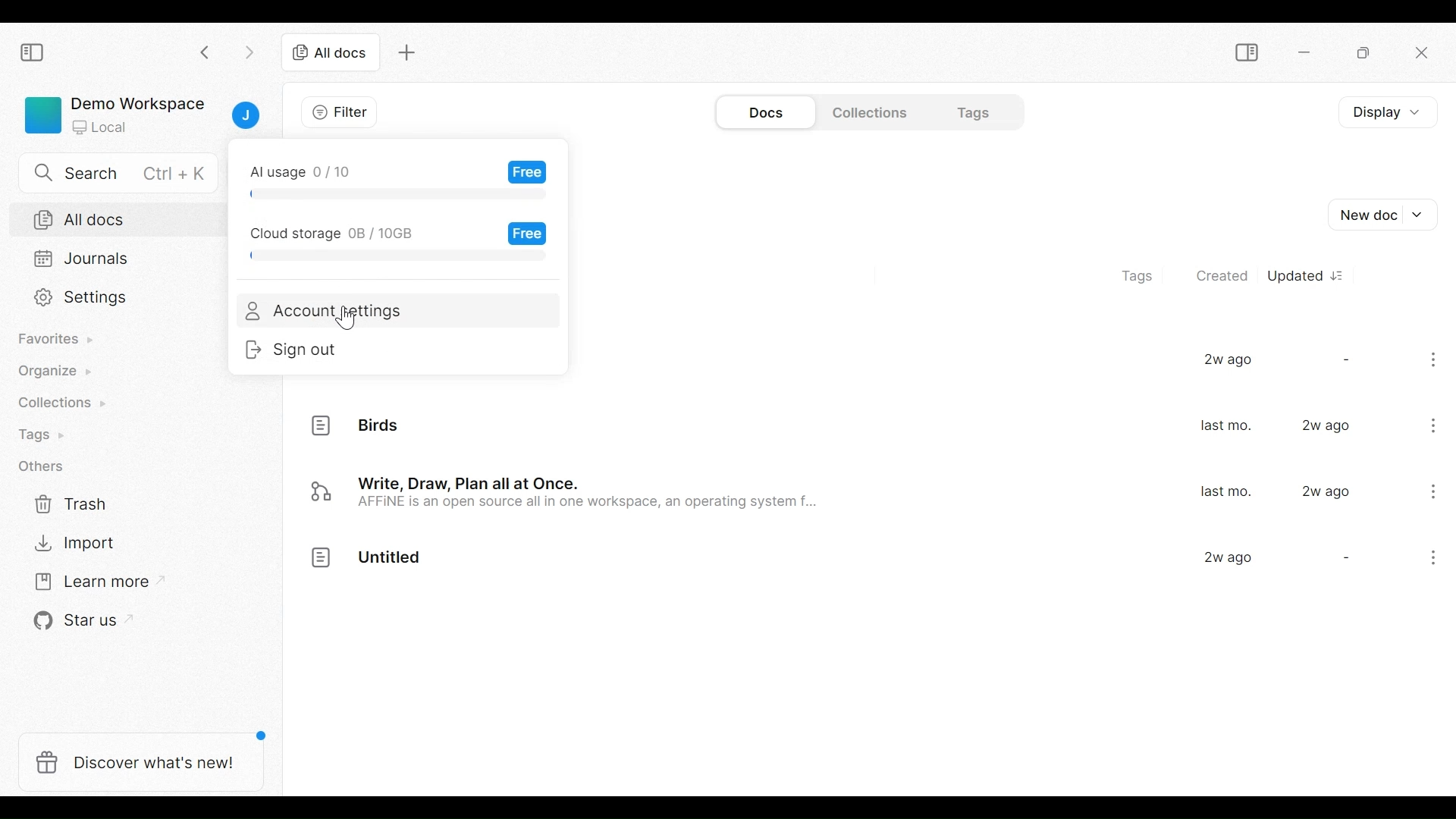 The width and height of the screenshot is (1456, 819). What do you see at coordinates (42, 468) in the screenshot?
I see `Others` at bounding box center [42, 468].